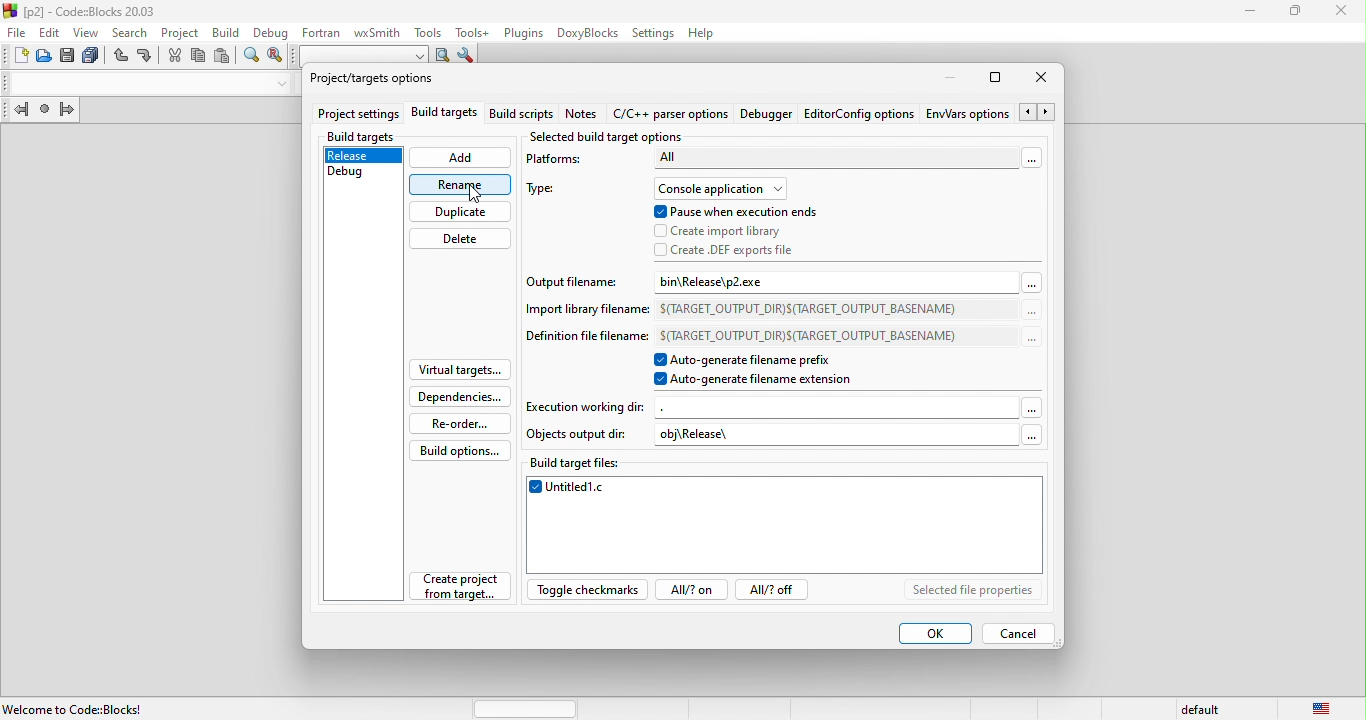  What do you see at coordinates (179, 31) in the screenshot?
I see `project` at bounding box center [179, 31].